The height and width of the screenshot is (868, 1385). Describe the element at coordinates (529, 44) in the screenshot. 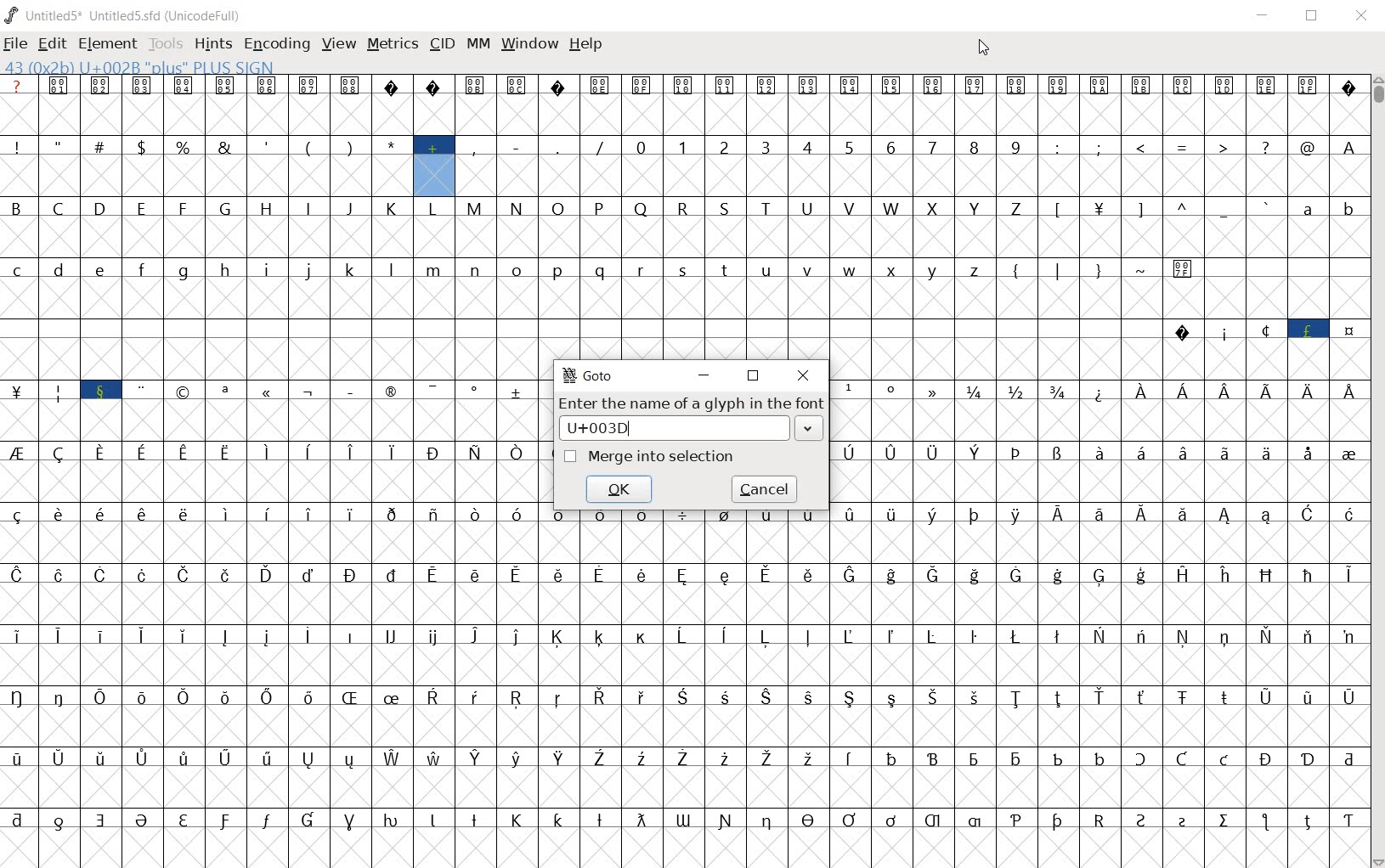

I see `window` at that location.